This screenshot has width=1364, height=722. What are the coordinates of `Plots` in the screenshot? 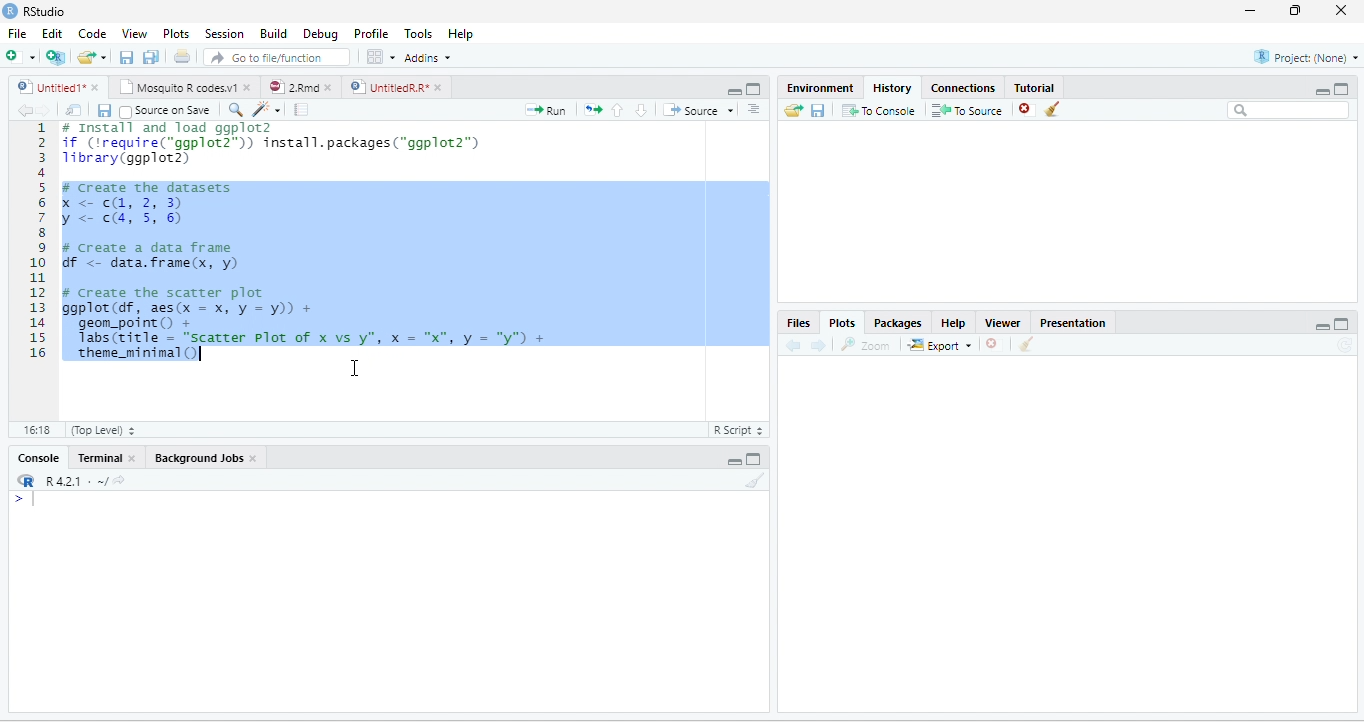 It's located at (842, 321).